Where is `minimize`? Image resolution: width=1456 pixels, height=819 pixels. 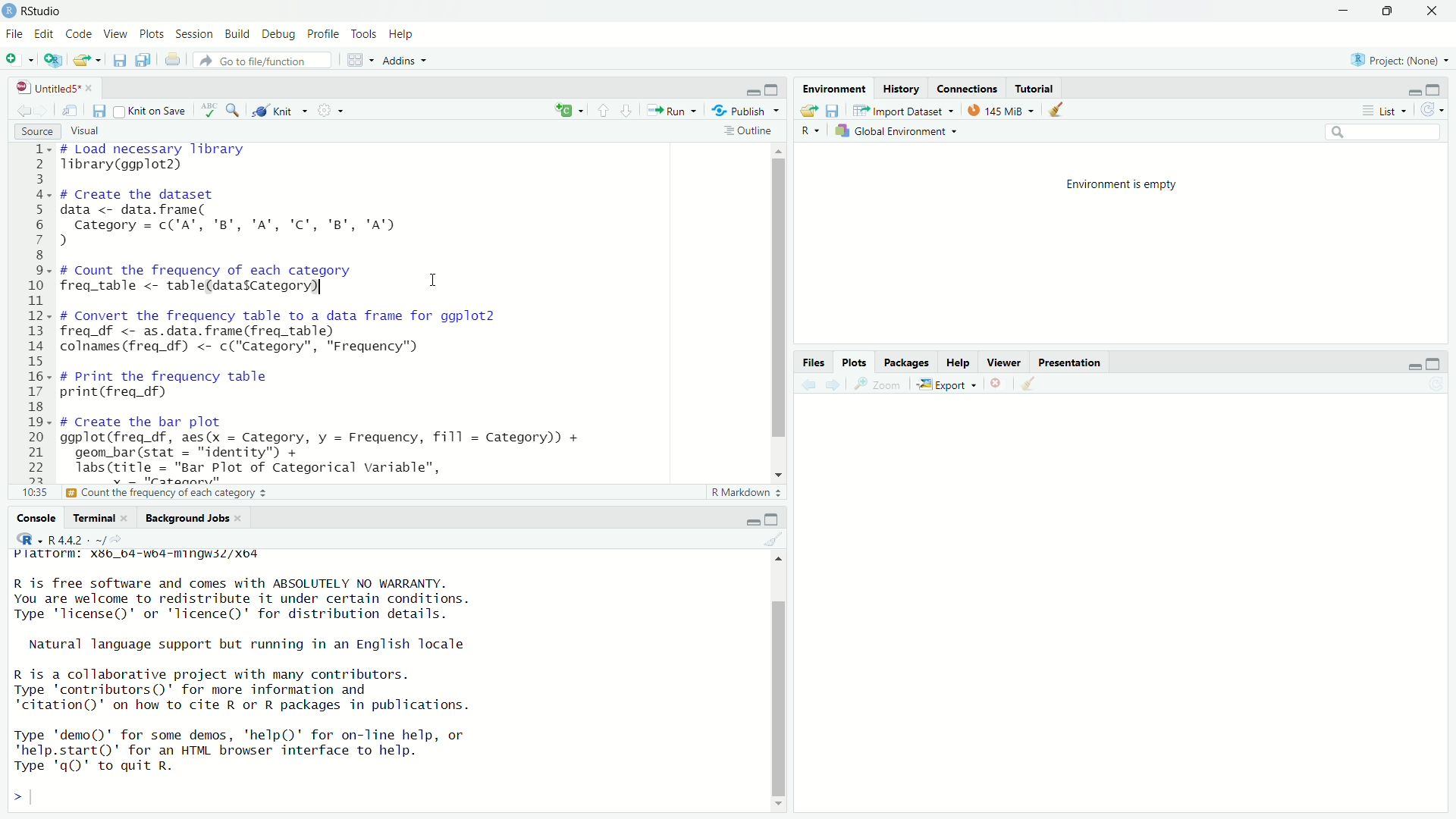
minimize is located at coordinates (752, 522).